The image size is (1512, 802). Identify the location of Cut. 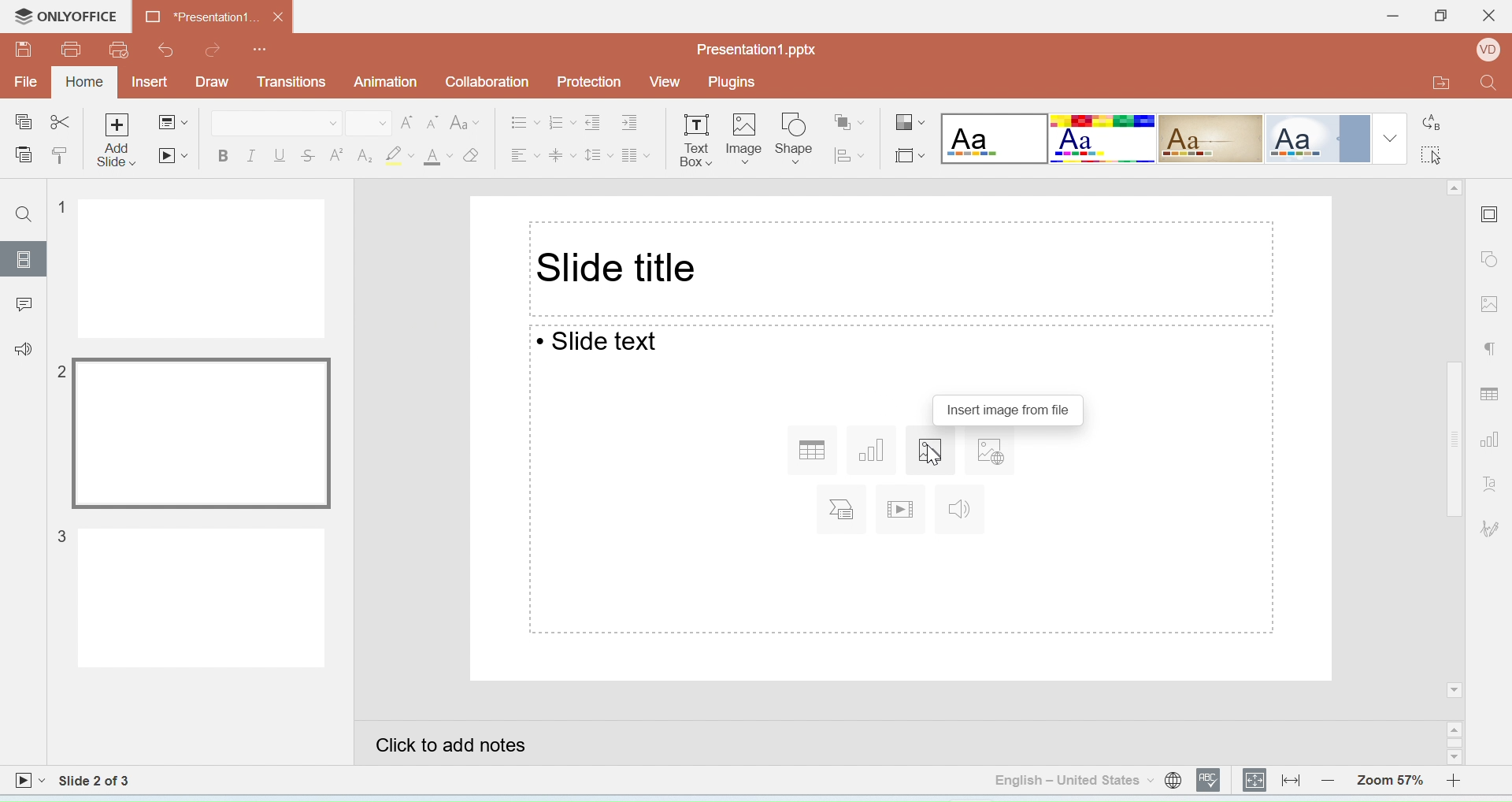
(61, 124).